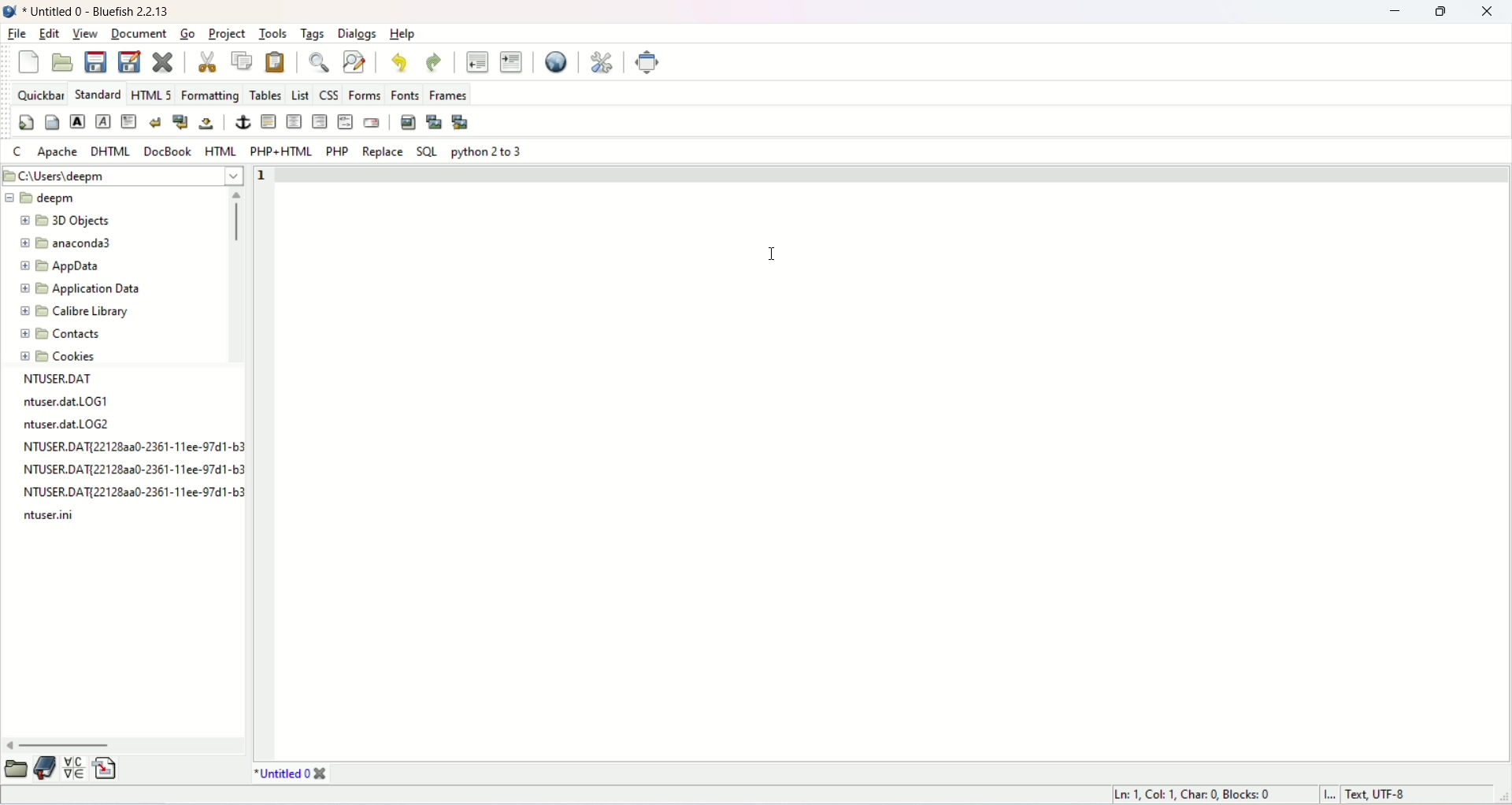 This screenshot has height=805, width=1512. Describe the element at coordinates (434, 121) in the screenshot. I see `insert thumbnail` at that location.